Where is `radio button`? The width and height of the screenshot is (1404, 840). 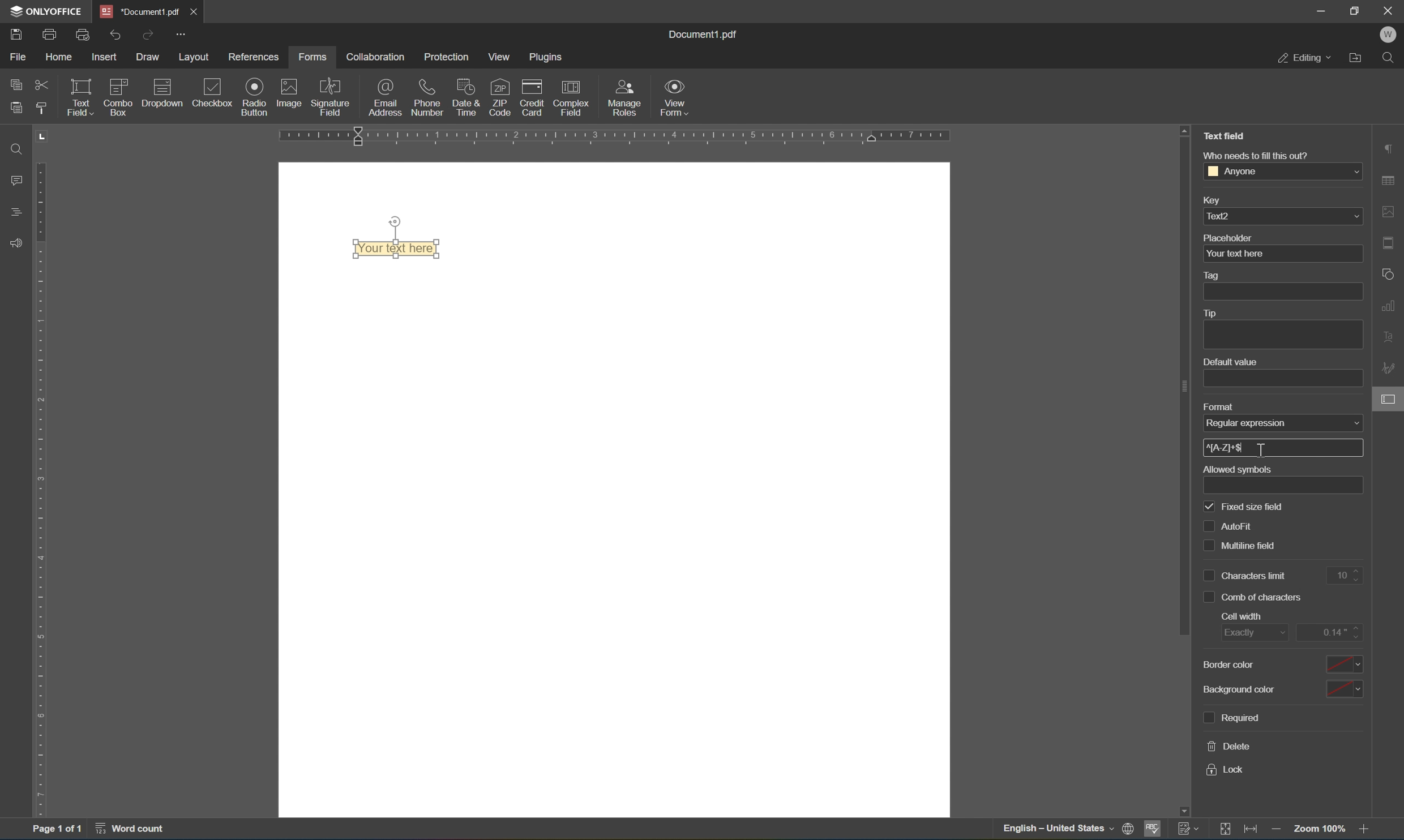
radio button is located at coordinates (254, 96).